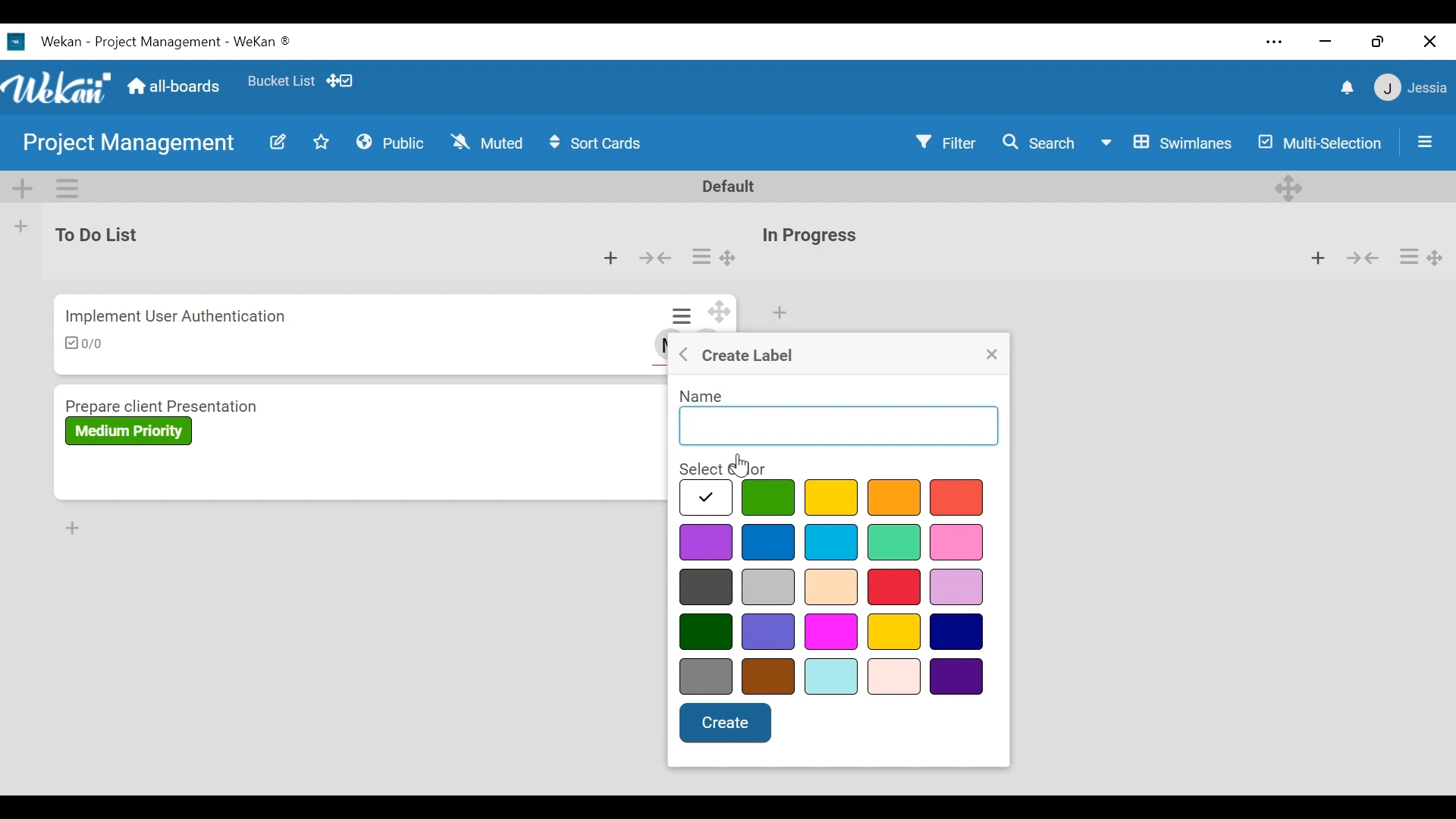 The image size is (1456, 819). Describe the element at coordinates (779, 313) in the screenshot. I see `Add card to top of the list` at that location.